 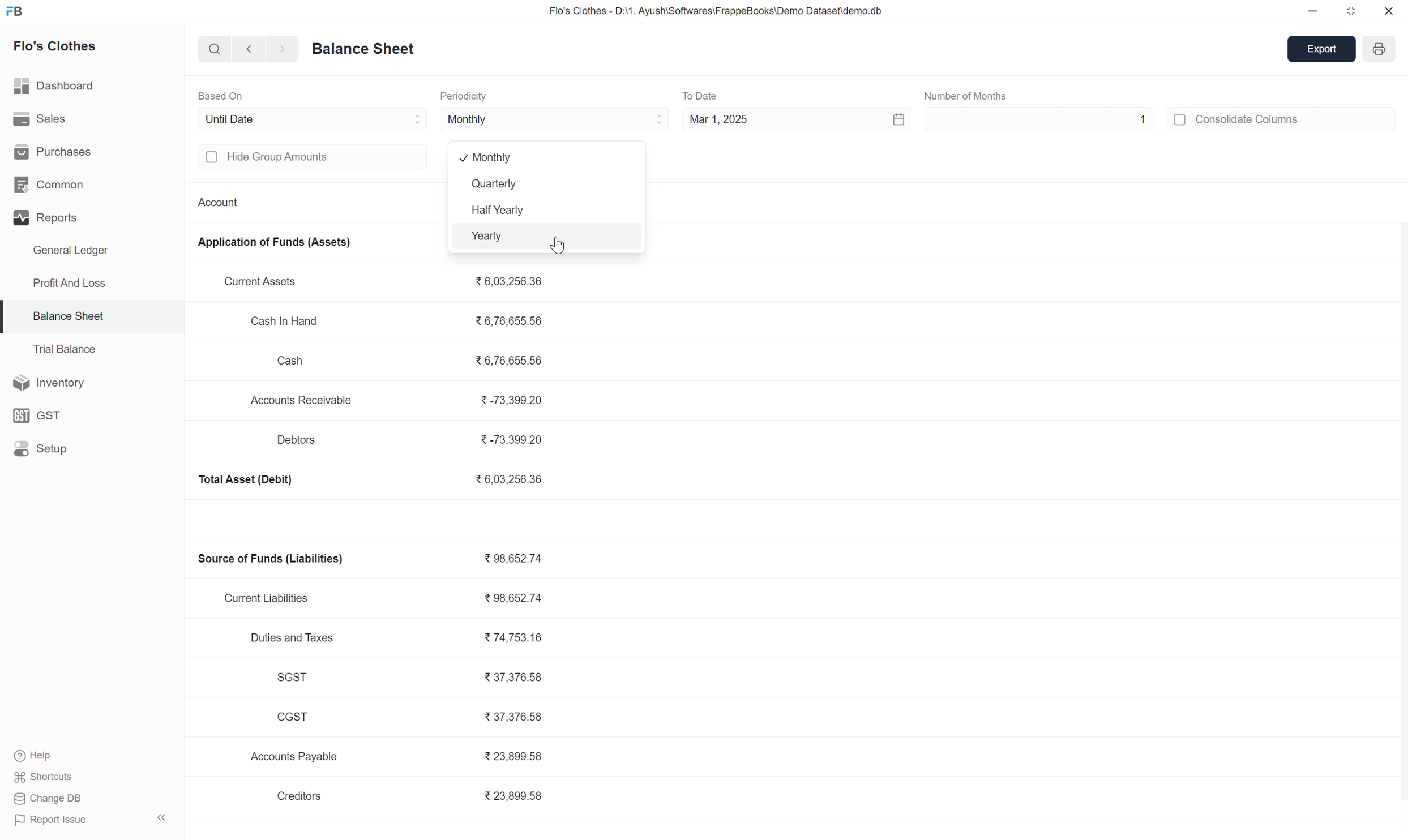 I want to click on Source of Funds (Liabilities), so click(x=272, y=560).